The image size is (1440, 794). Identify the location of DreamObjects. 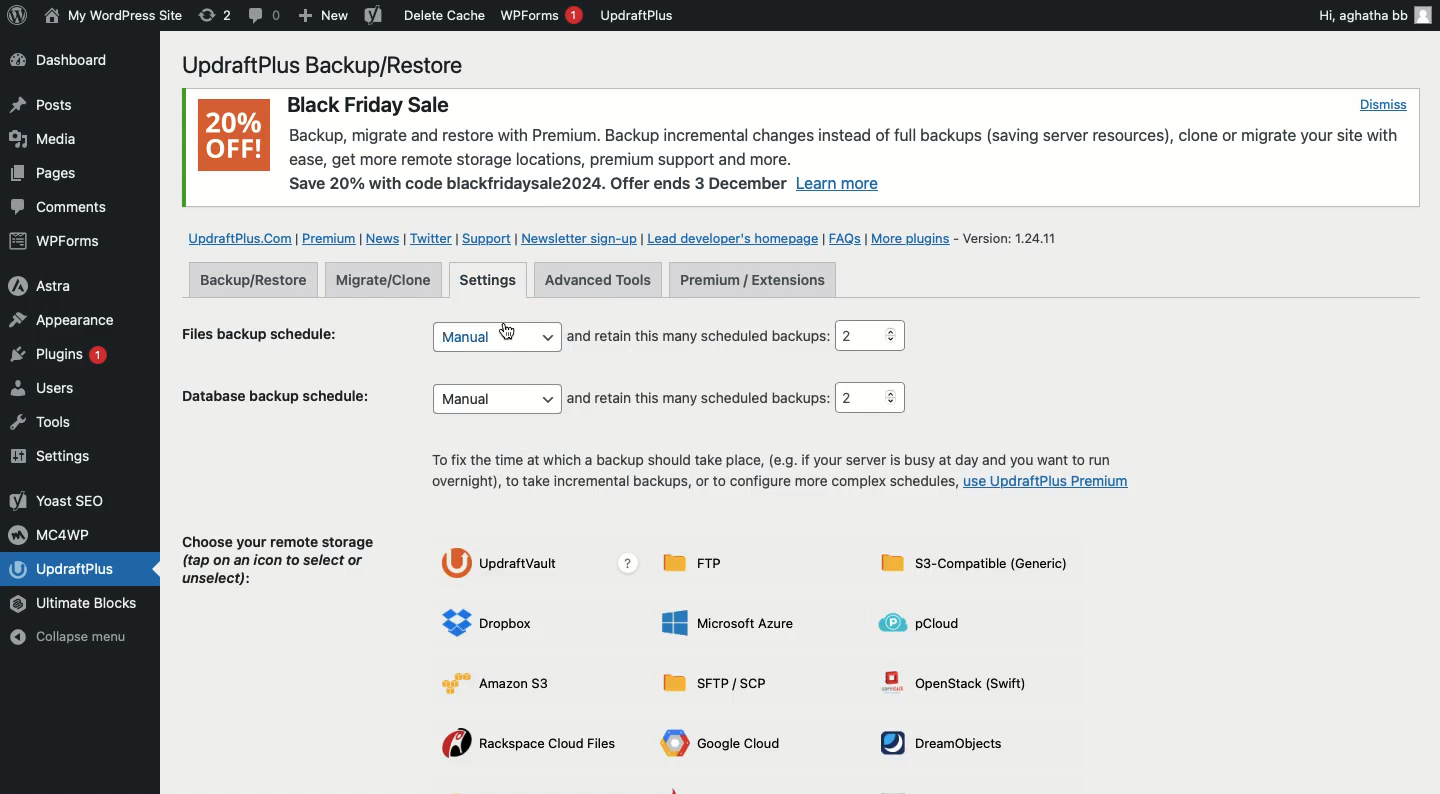
(949, 743).